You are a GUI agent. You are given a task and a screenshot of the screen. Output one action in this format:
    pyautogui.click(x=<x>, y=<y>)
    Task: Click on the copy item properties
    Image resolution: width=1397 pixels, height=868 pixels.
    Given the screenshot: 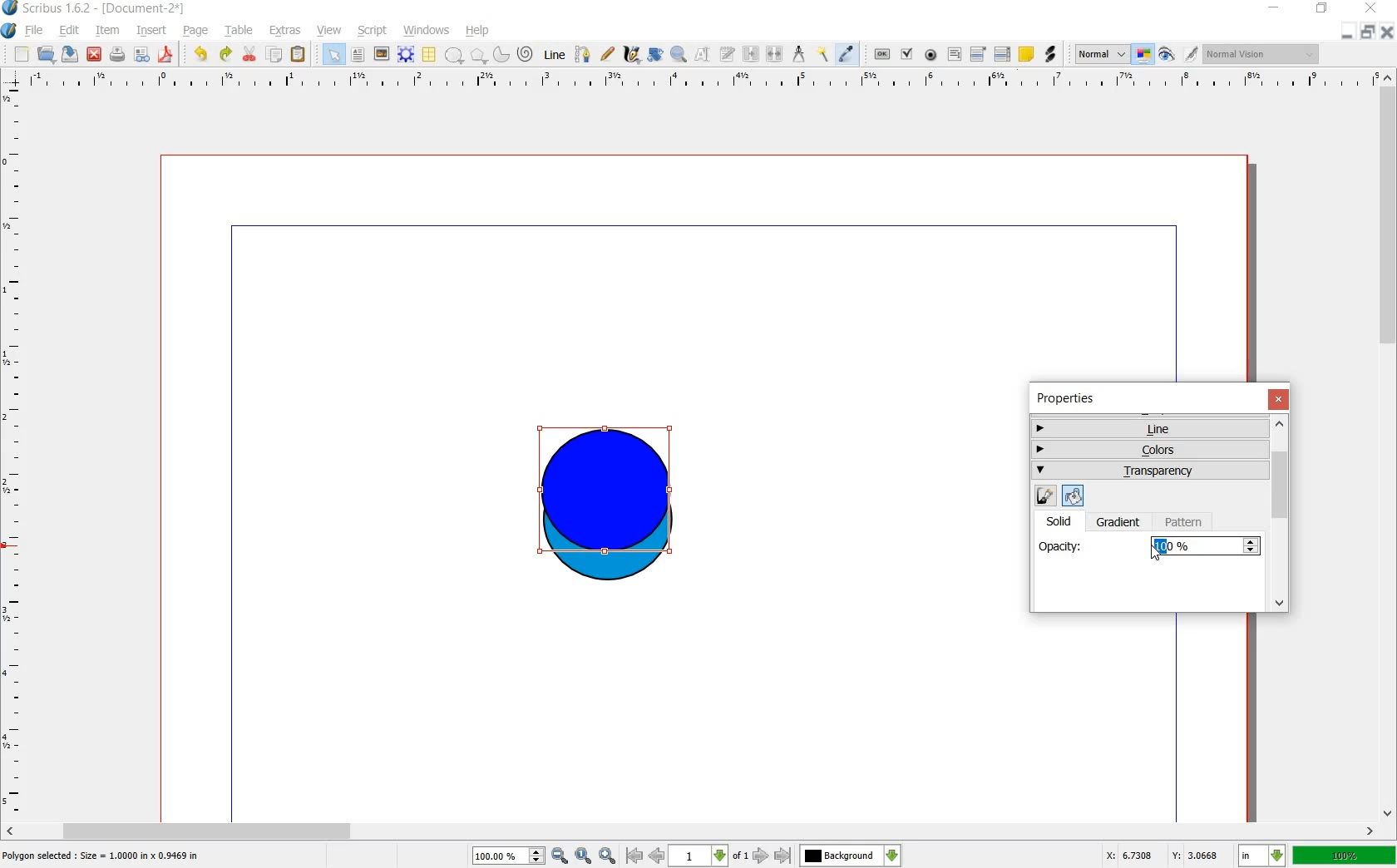 What is the action you would take?
    pyautogui.click(x=823, y=56)
    